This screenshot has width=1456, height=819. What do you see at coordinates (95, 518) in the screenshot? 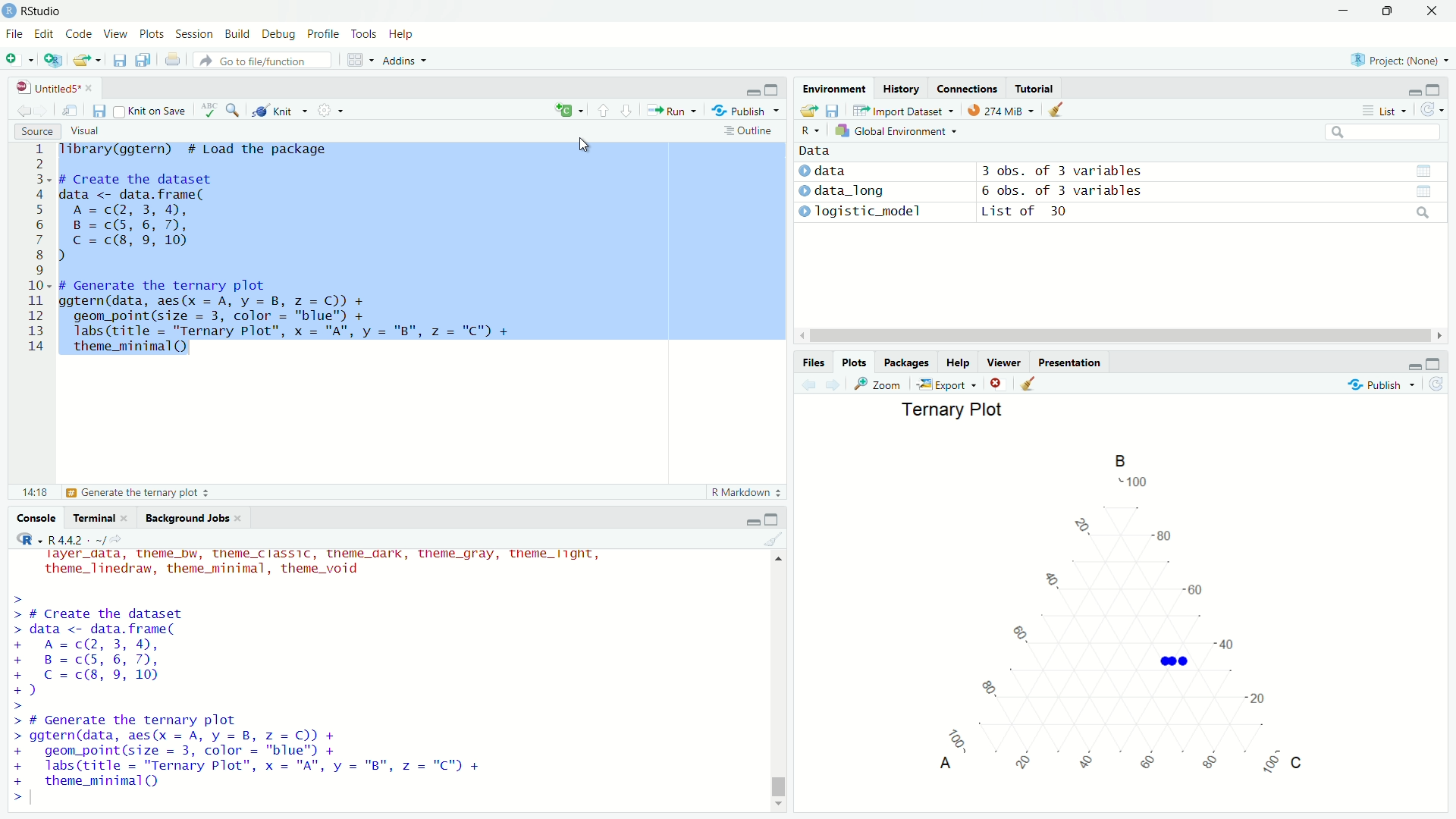
I see `Terminal` at bounding box center [95, 518].